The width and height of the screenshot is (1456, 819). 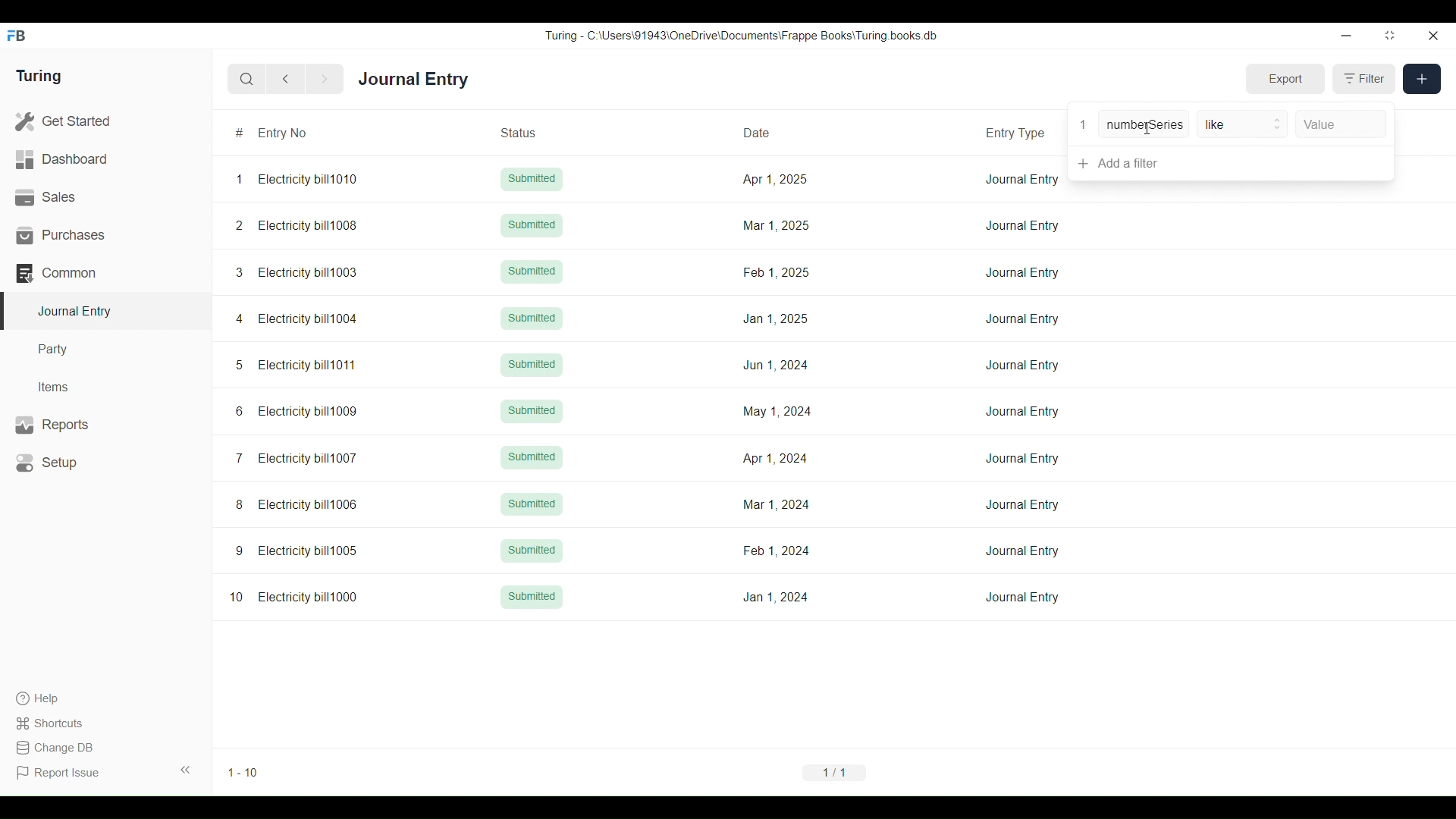 What do you see at coordinates (775, 597) in the screenshot?
I see `Jan 1, 2024` at bounding box center [775, 597].